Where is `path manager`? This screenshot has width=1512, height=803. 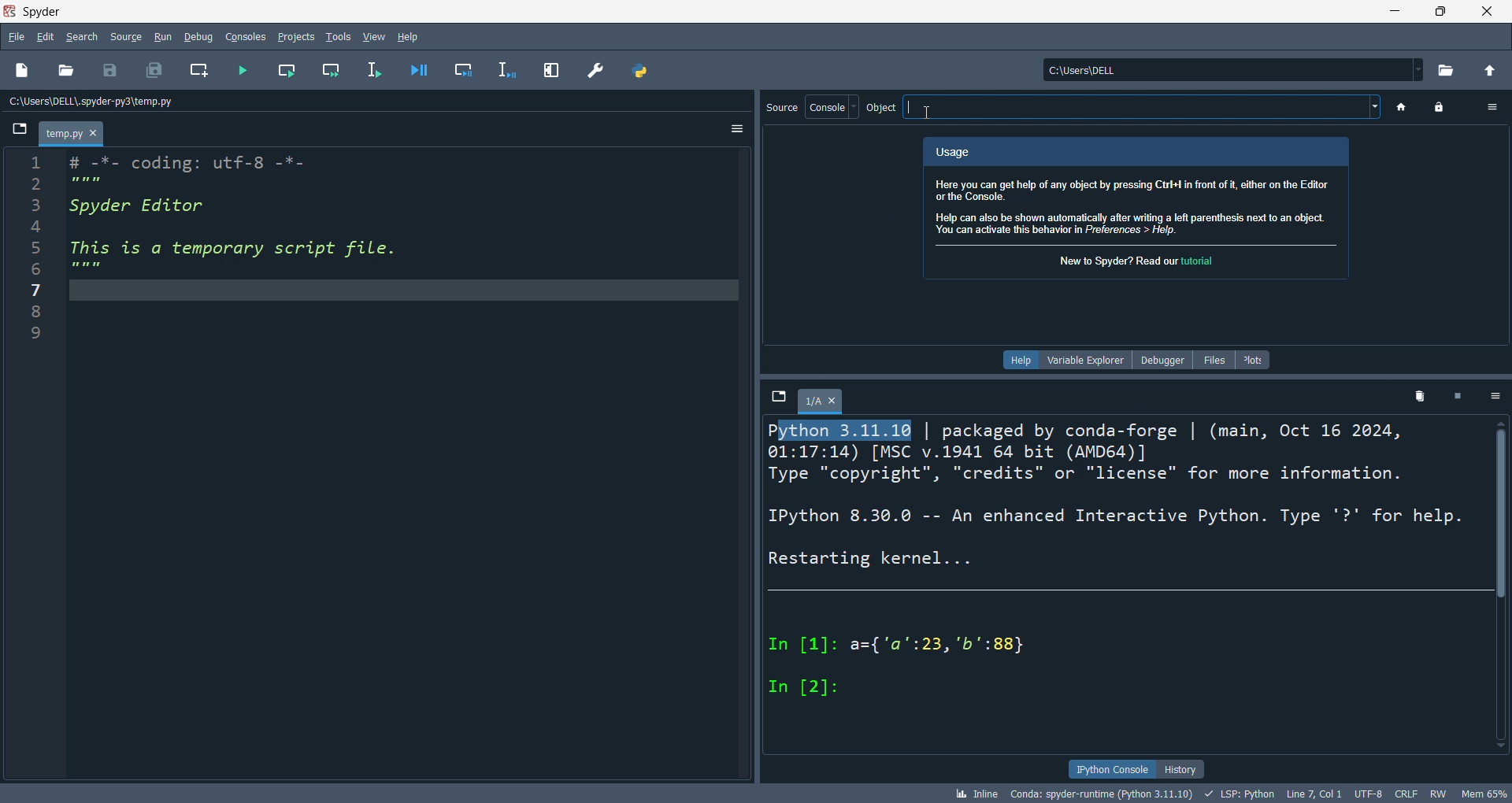 path manager is located at coordinates (637, 71).